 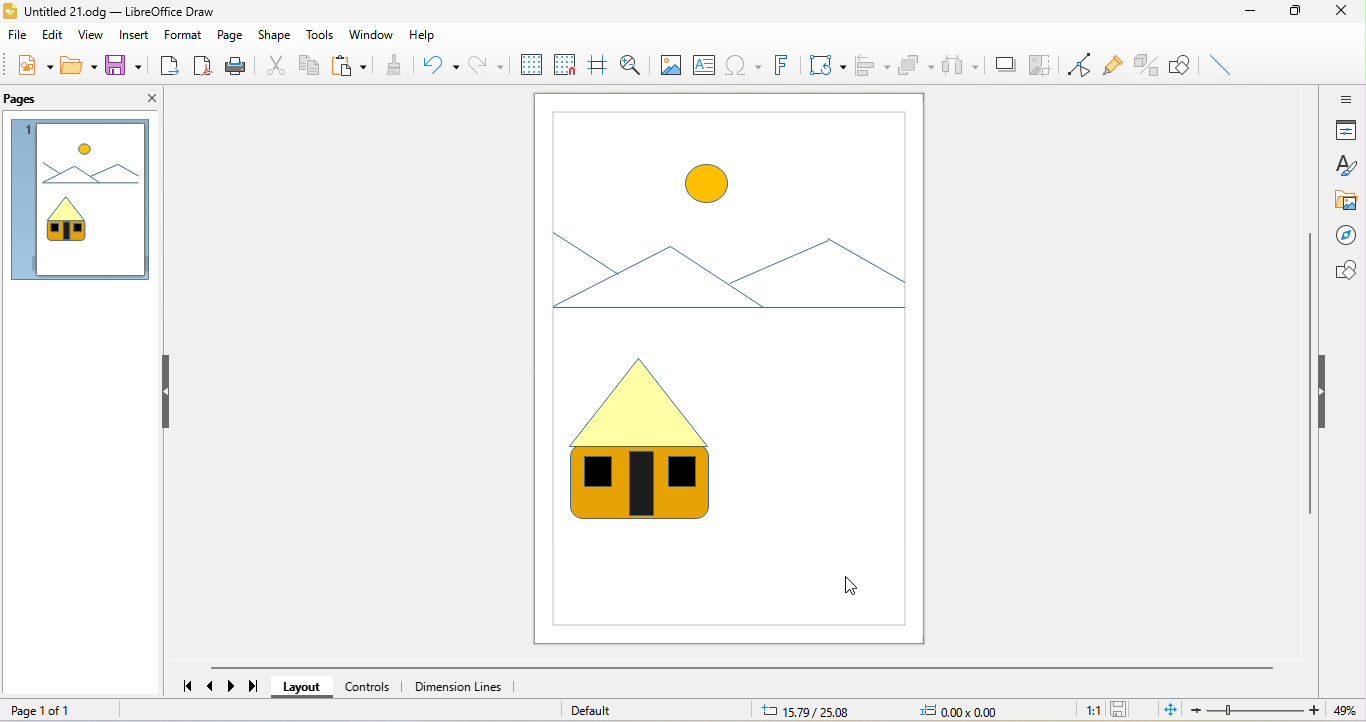 I want to click on fontwork text, so click(x=779, y=64).